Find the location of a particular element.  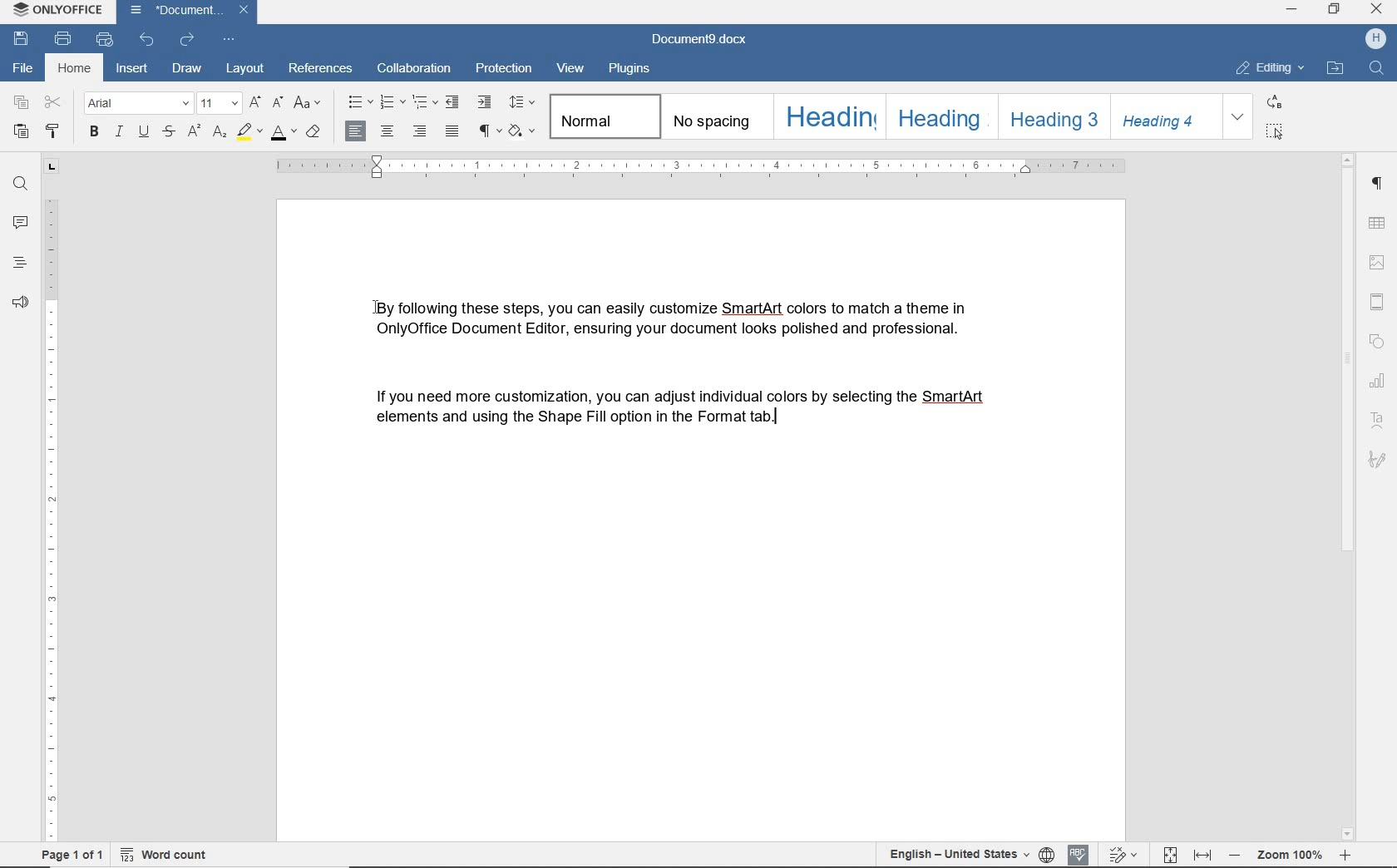

draw is located at coordinates (187, 69).